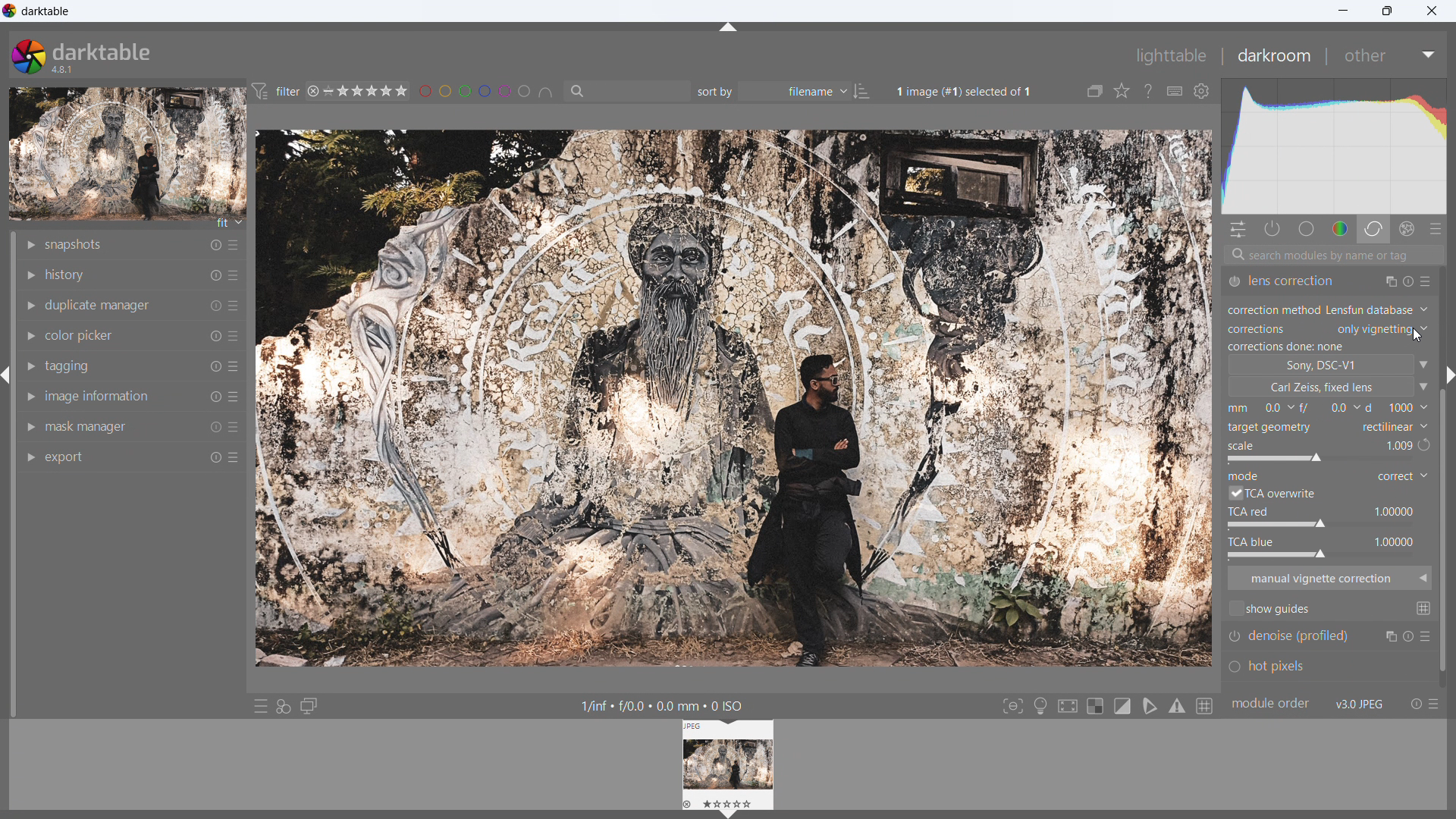 The height and width of the screenshot is (819, 1456). Describe the element at coordinates (1149, 707) in the screenshot. I see `toggle softproofing` at that location.